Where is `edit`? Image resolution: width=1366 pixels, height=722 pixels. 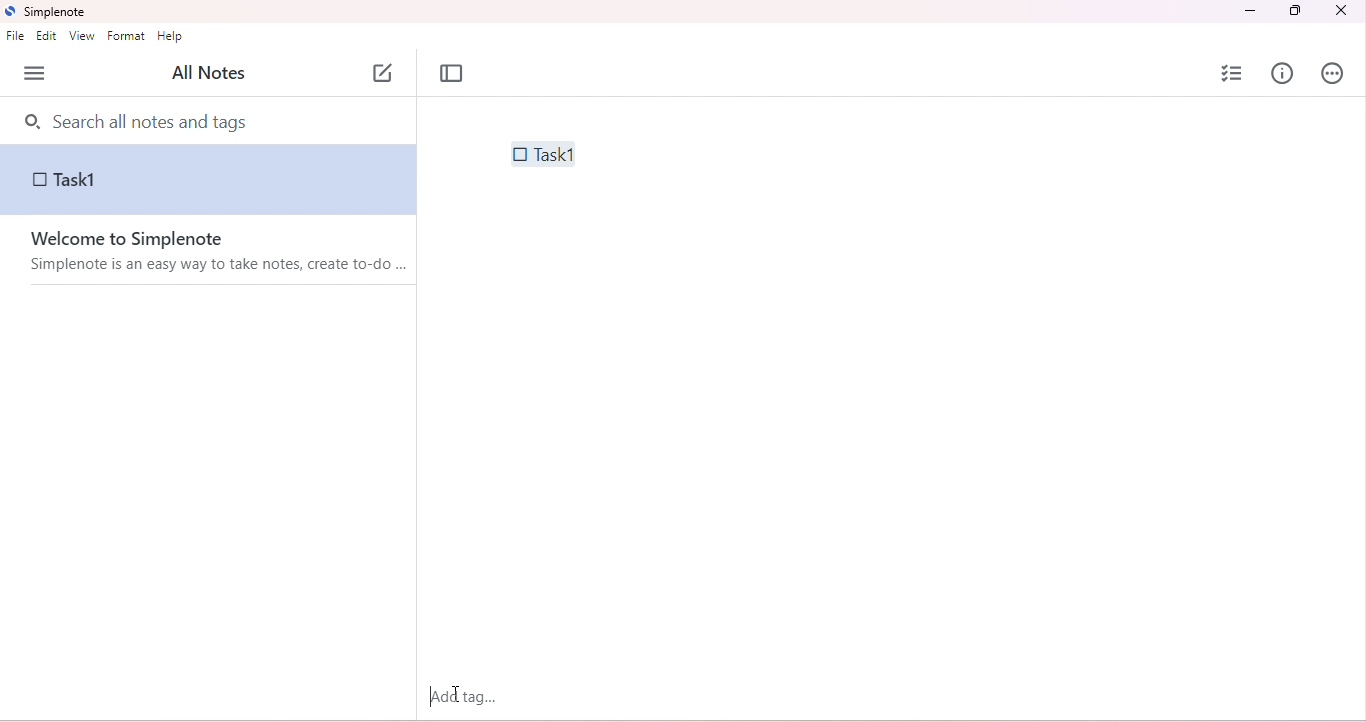
edit is located at coordinates (49, 38).